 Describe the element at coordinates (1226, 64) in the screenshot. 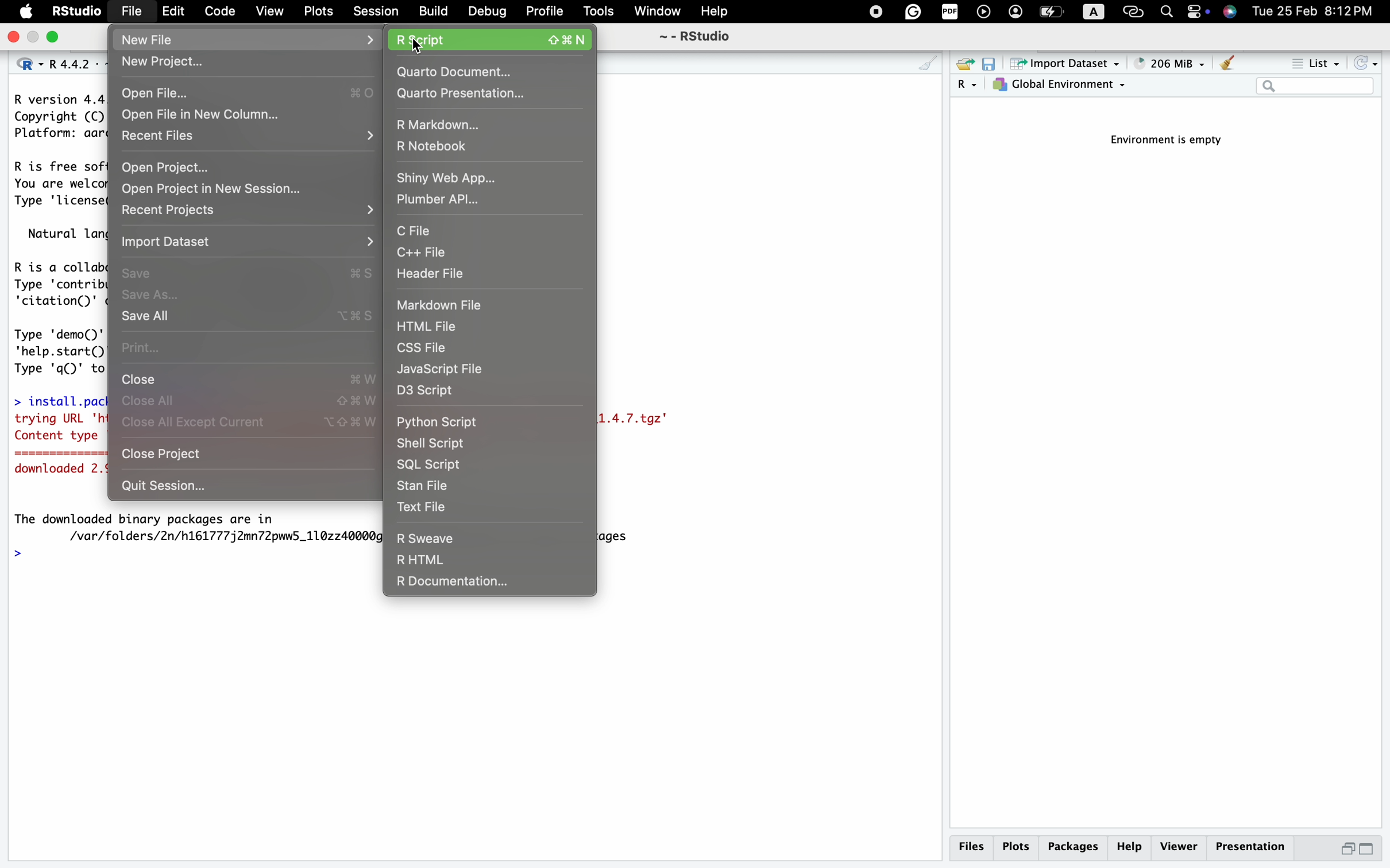

I see `clear objects from the workspace` at that location.